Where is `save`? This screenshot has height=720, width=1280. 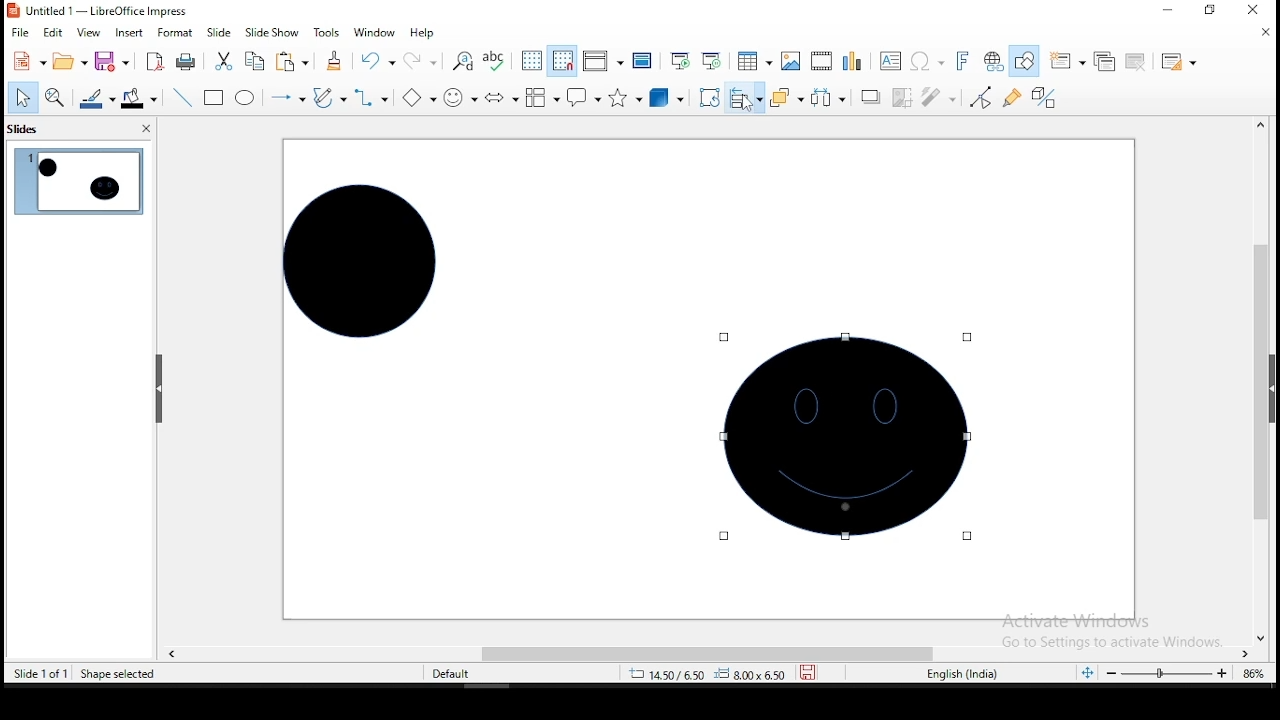
save is located at coordinates (811, 673).